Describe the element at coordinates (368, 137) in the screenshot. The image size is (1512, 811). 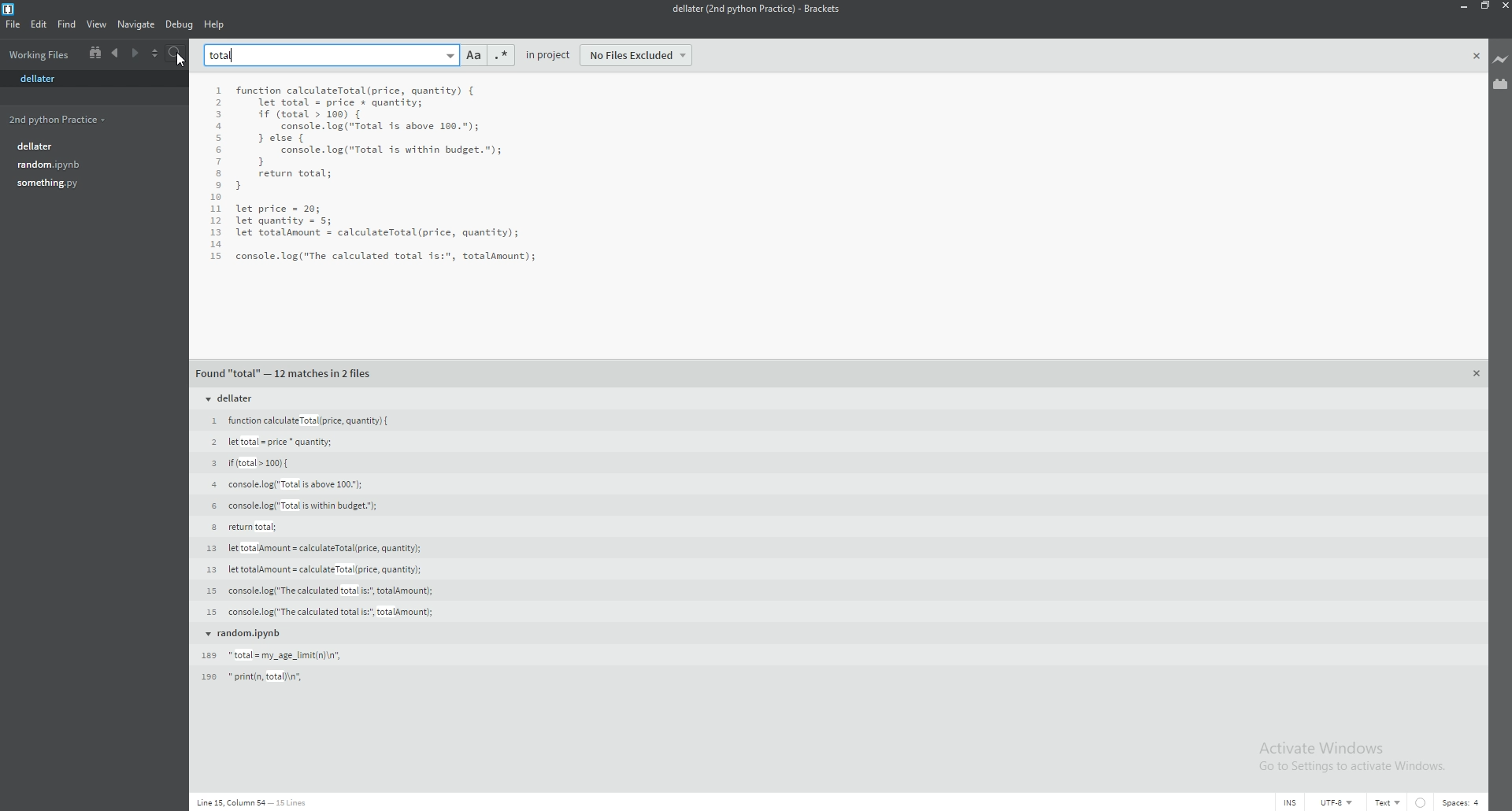
I see `function calculateTotal(price, quantity) { let total = price * quantity; if (total > 100) {console. log("Total is above 100.");} else {  console. log ("Total is within budget."); } return total;}` at that location.